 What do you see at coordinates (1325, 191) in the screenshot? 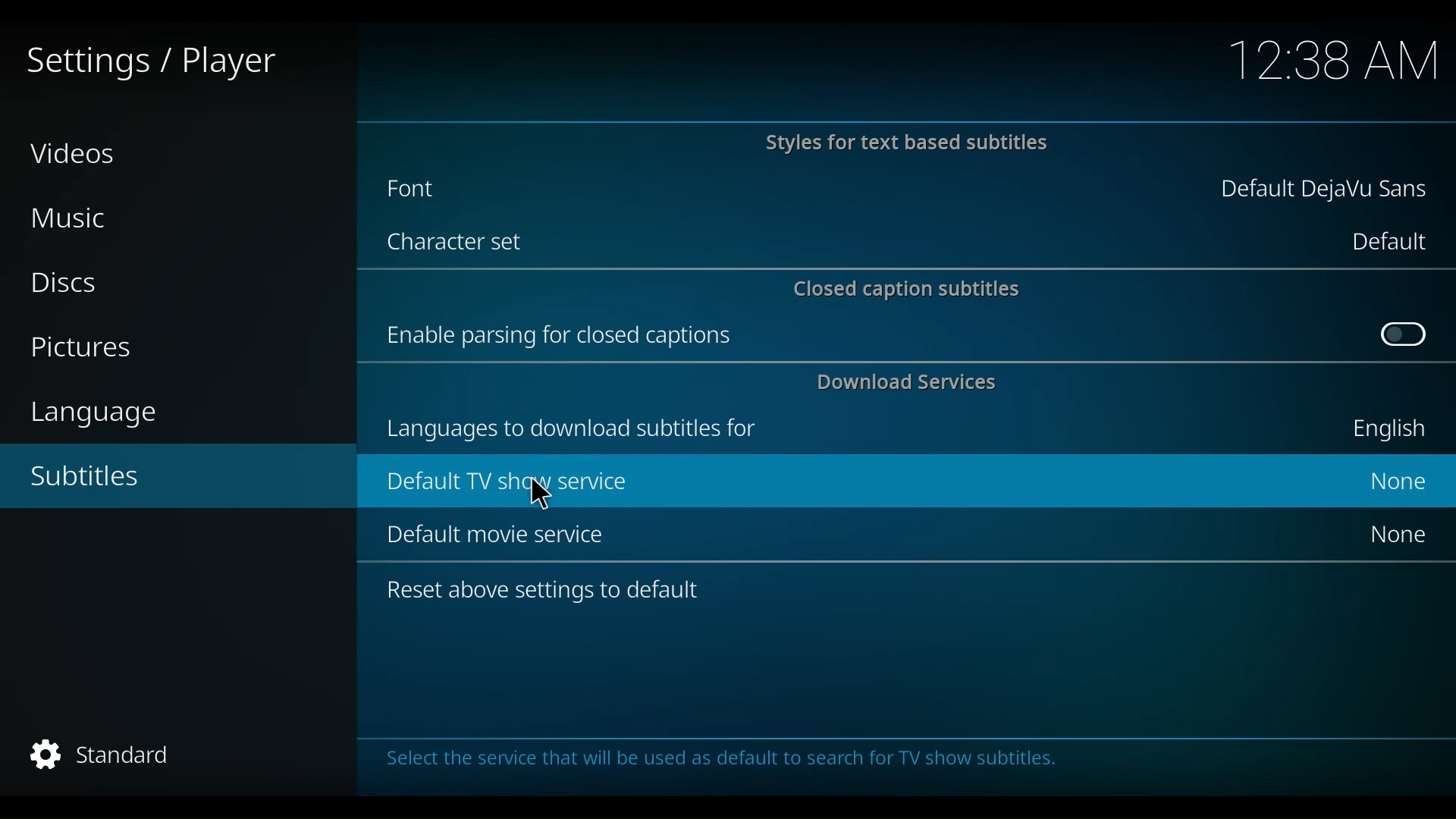
I see `Default DejaVu Sans` at bounding box center [1325, 191].